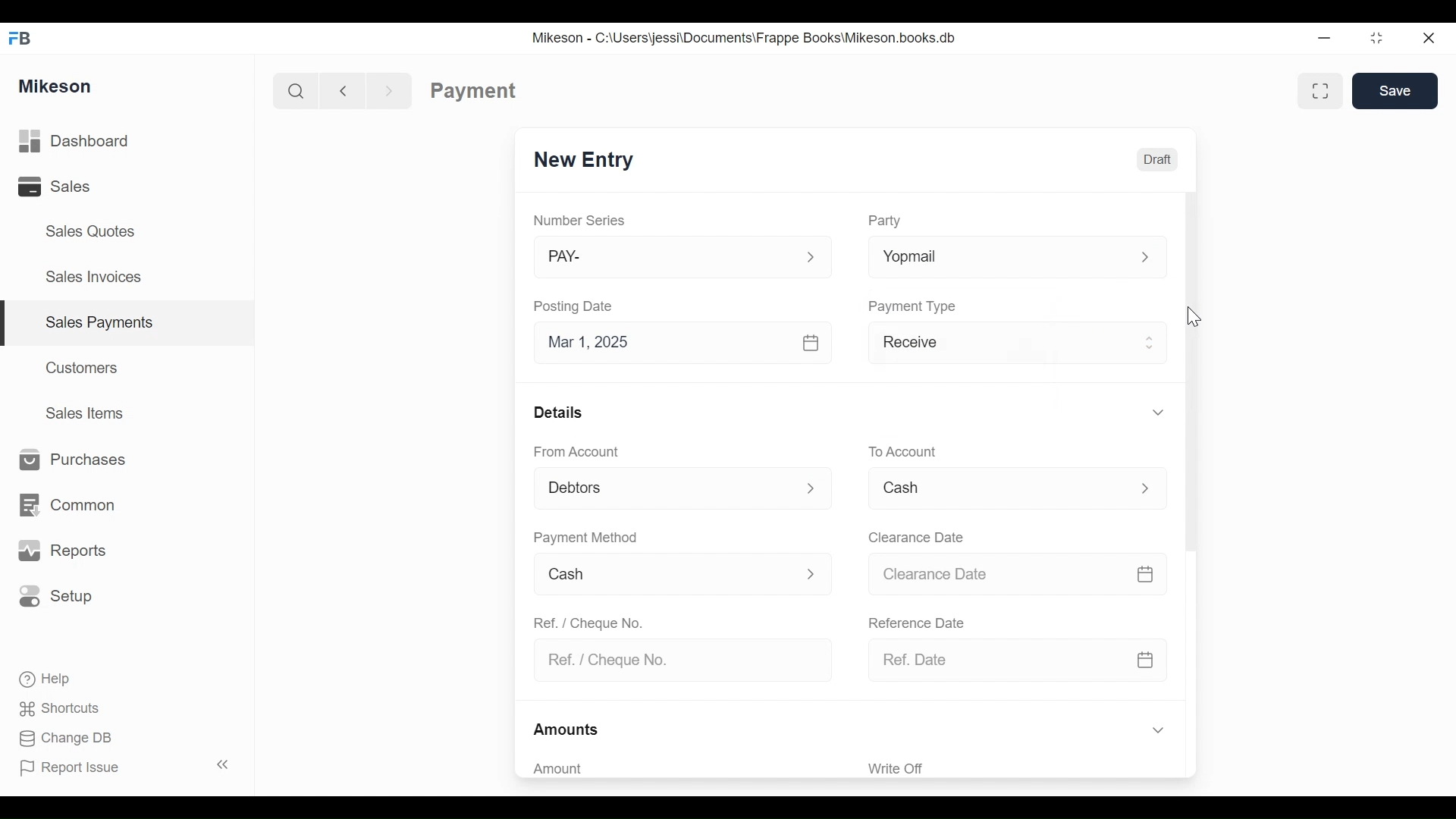 This screenshot has height=819, width=1456. Describe the element at coordinates (75, 497) in the screenshot. I see `Common` at that location.